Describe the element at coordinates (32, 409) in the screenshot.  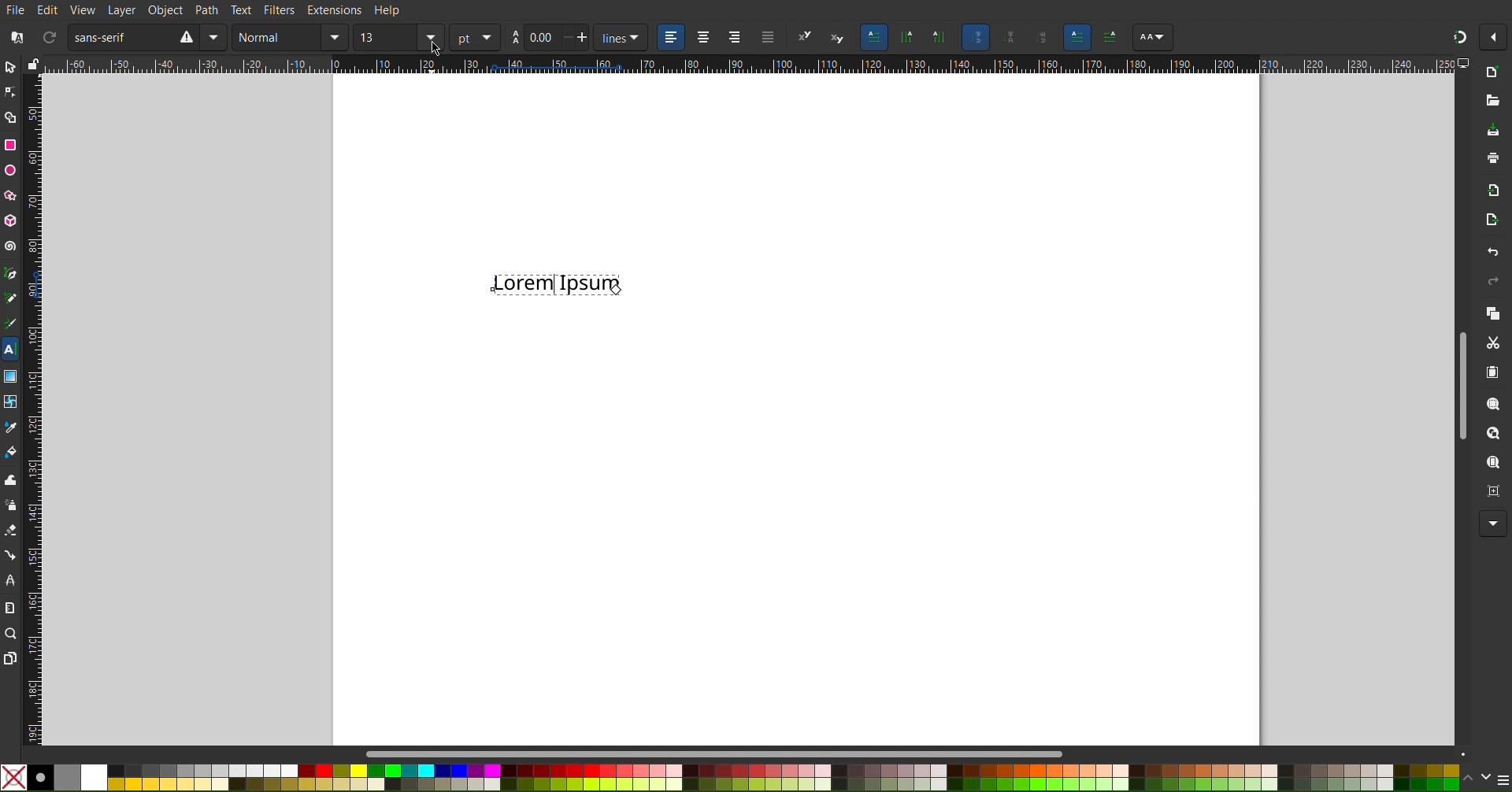
I see `Vertical Ruler` at that location.